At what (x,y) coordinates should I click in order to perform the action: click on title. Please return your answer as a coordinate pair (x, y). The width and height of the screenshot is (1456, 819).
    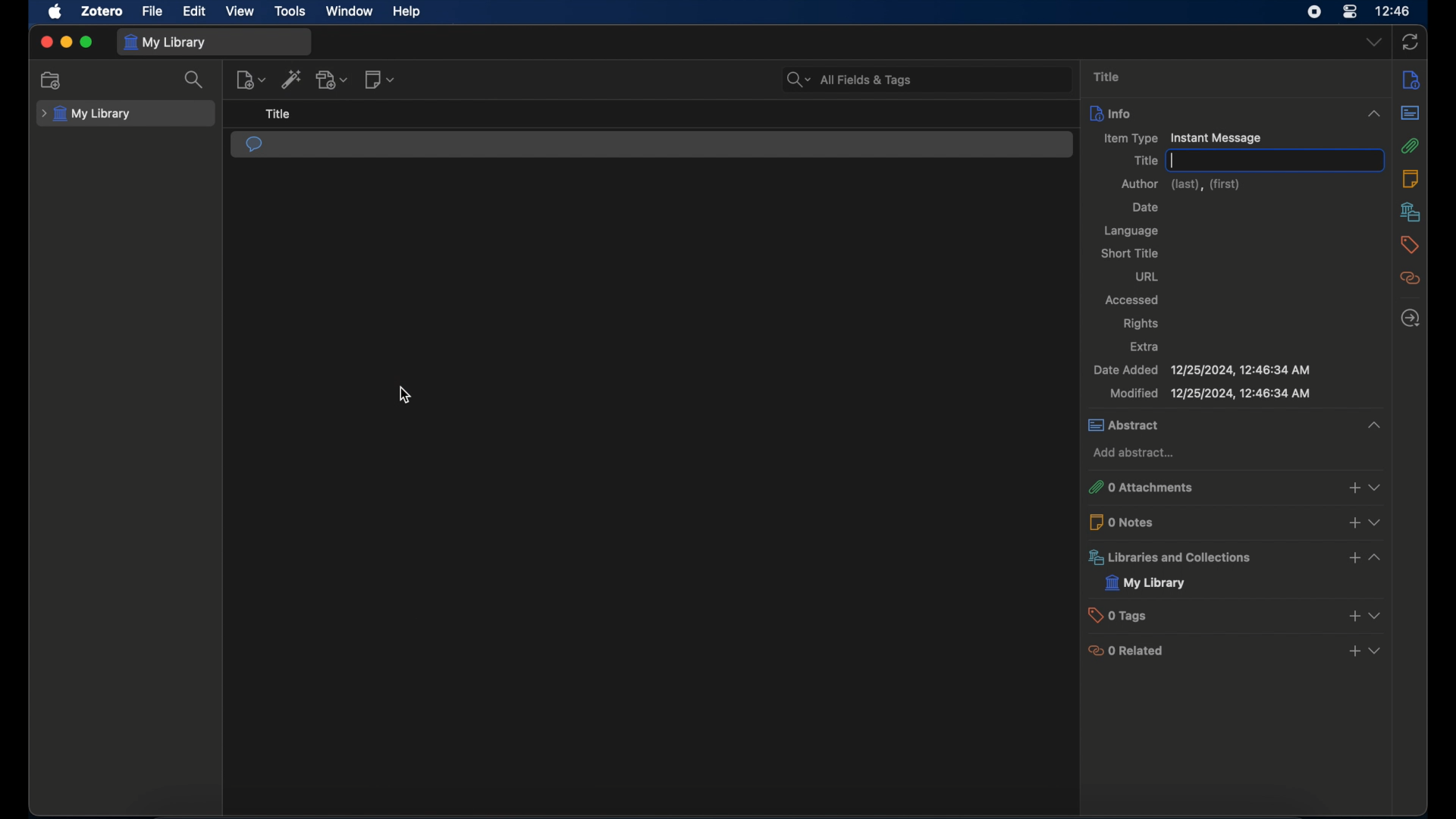
    Looking at the image, I should click on (277, 114).